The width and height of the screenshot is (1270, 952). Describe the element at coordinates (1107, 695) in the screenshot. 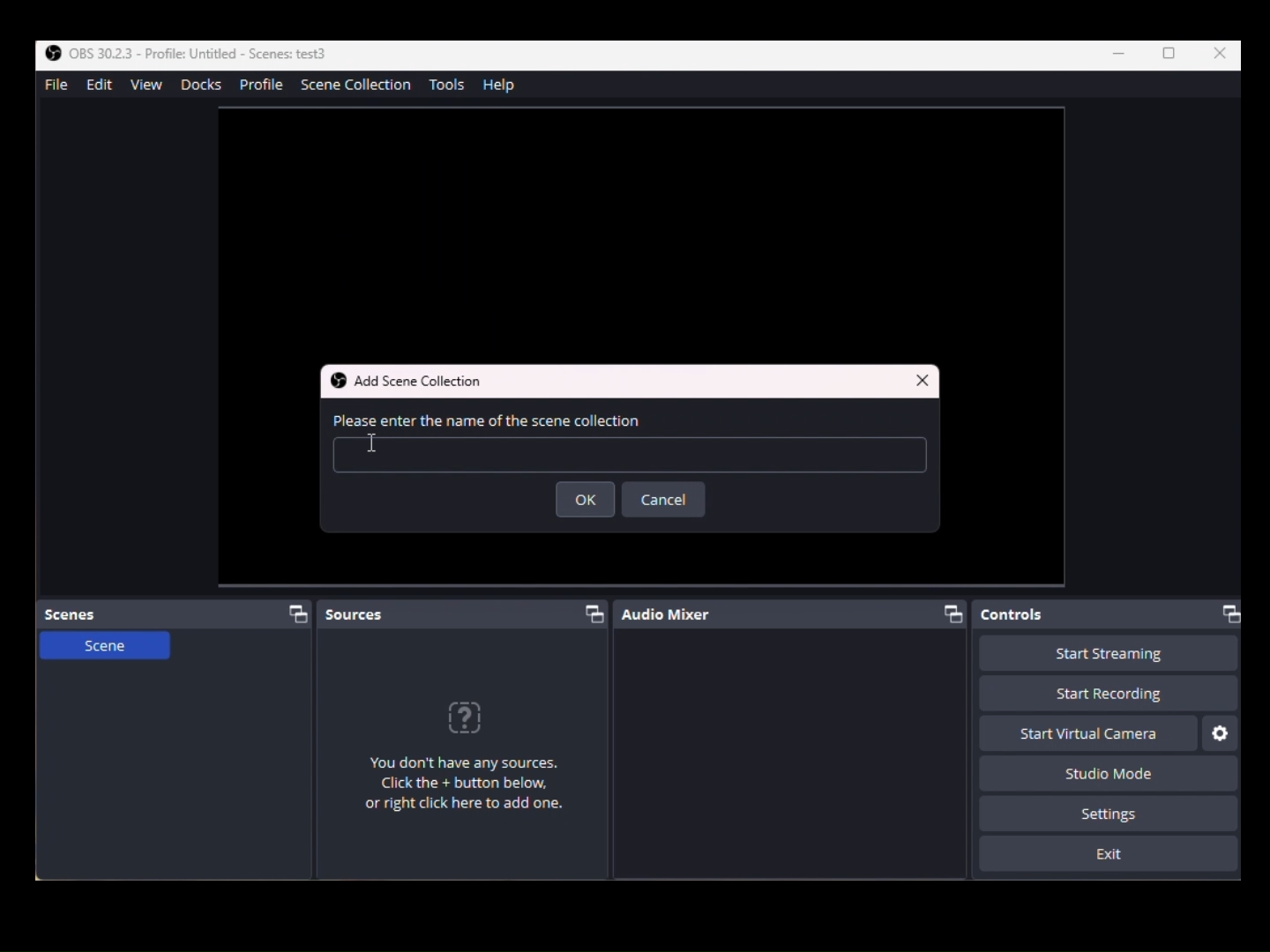

I see `Start Recording` at that location.